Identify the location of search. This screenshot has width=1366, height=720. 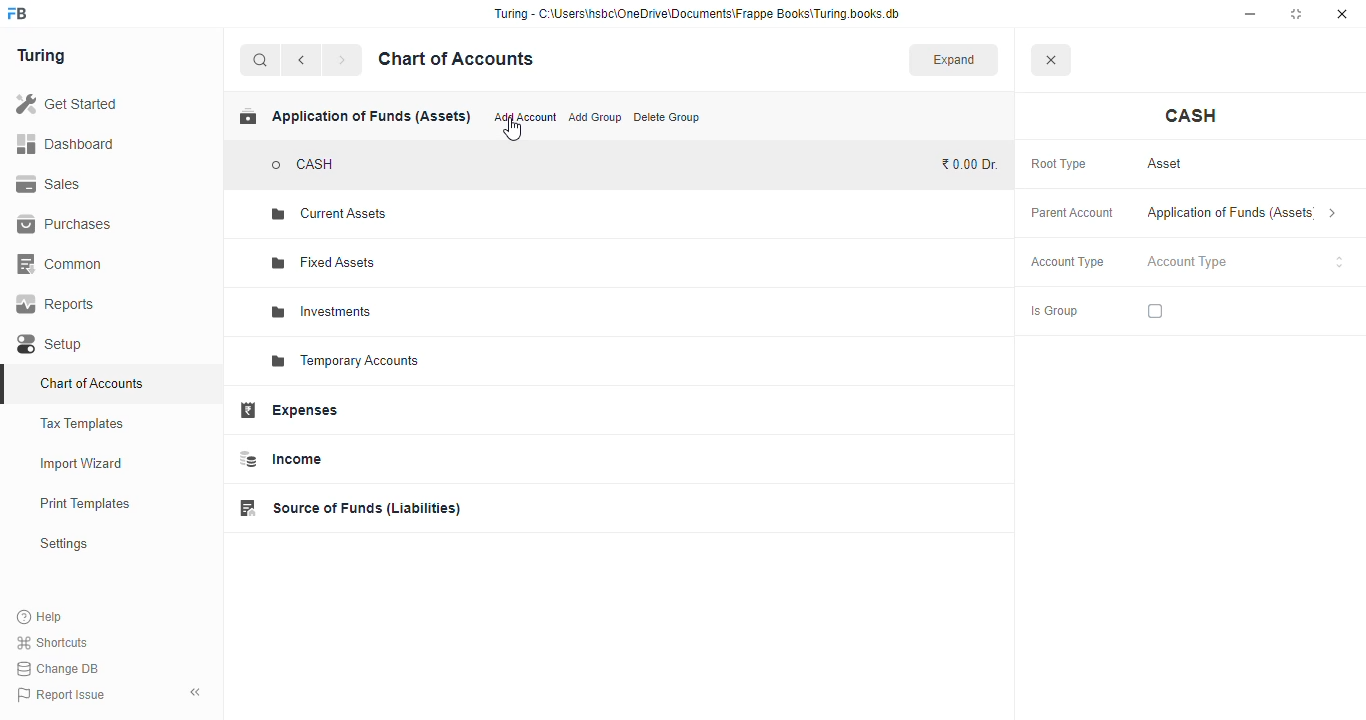
(261, 60).